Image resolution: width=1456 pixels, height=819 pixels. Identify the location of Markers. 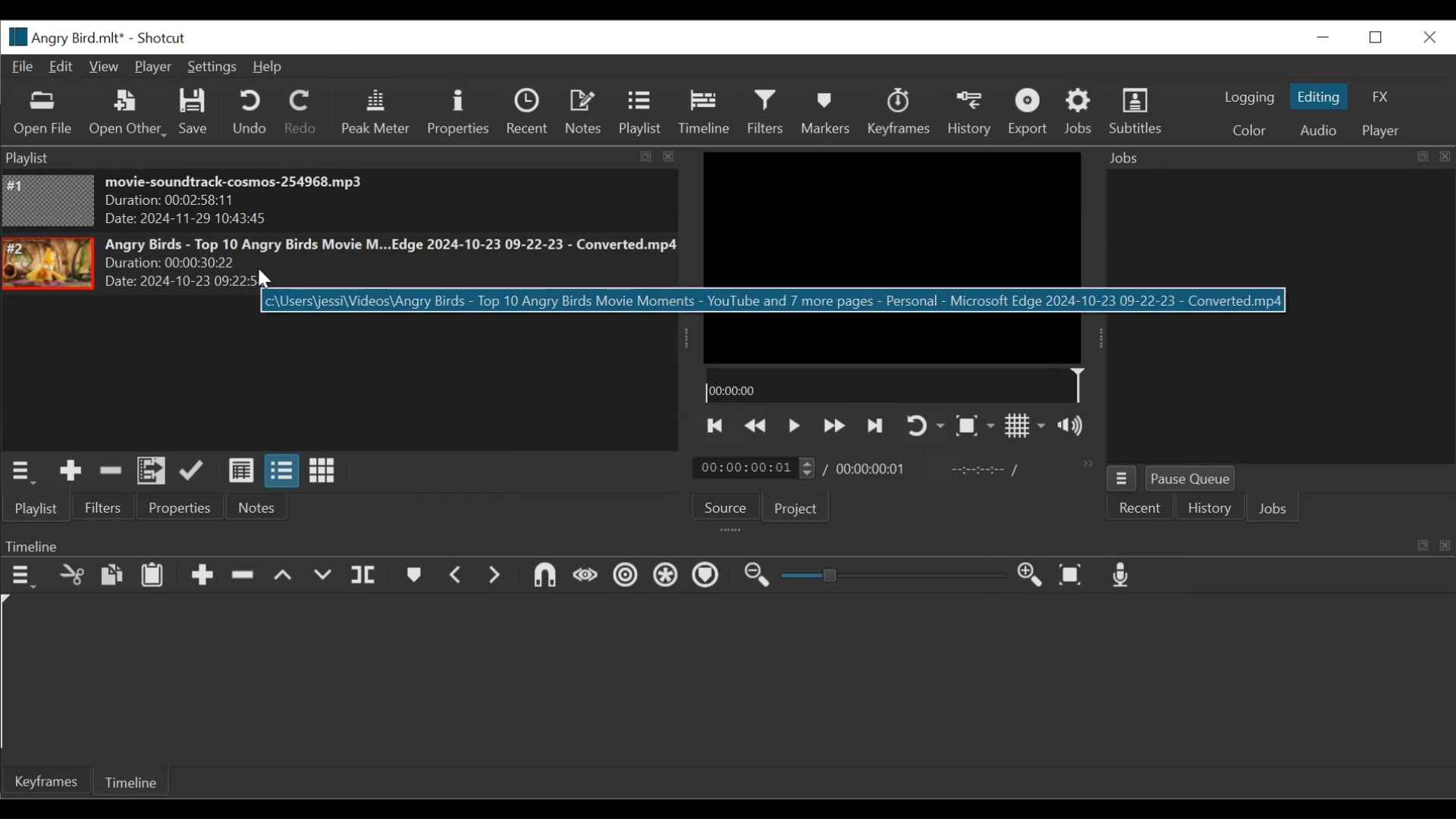
(412, 576).